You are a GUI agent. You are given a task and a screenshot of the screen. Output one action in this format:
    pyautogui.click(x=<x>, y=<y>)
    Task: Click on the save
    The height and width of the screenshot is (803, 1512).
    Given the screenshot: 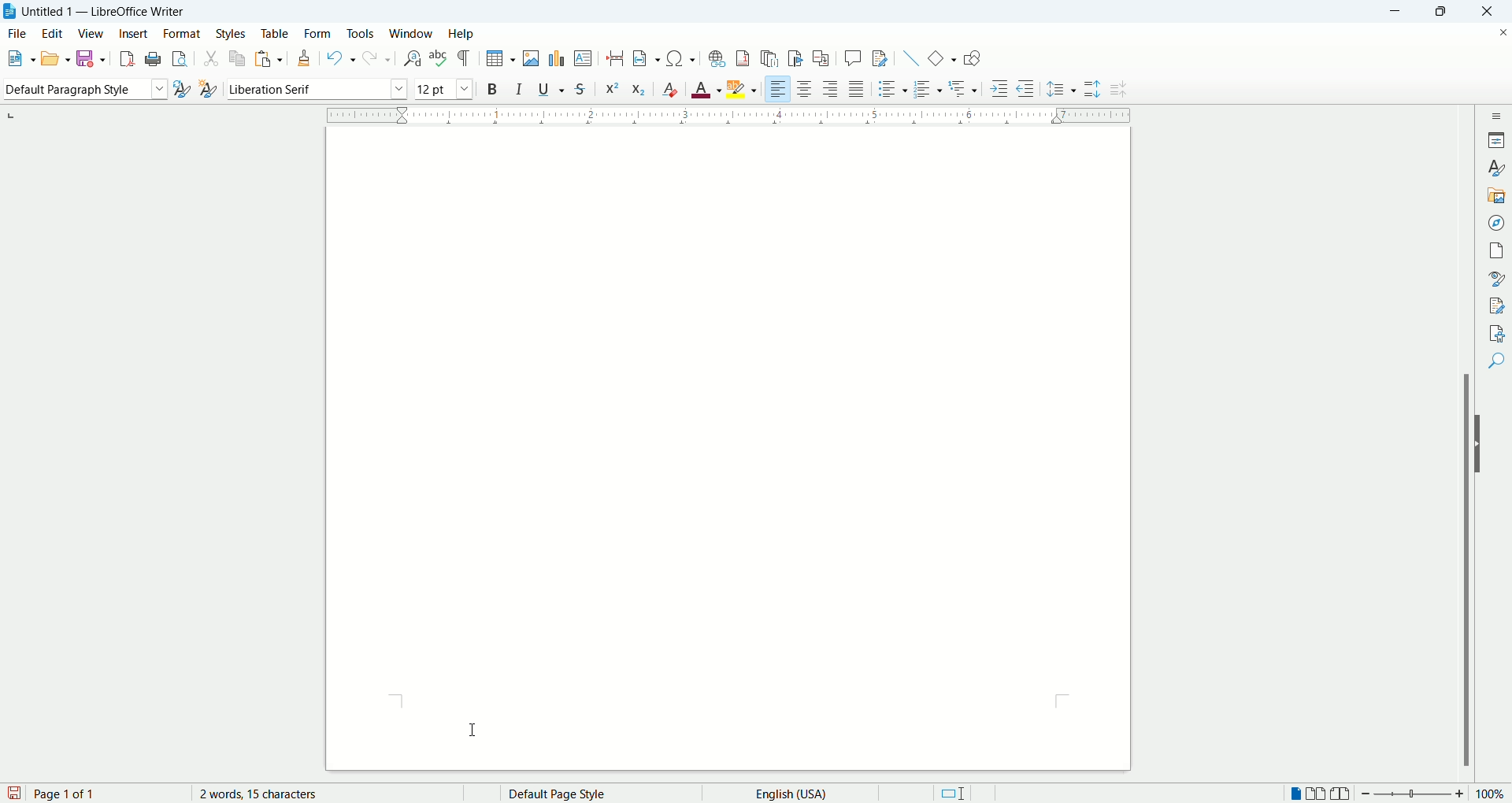 What is the action you would take?
    pyautogui.click(x=93, y=57)
    